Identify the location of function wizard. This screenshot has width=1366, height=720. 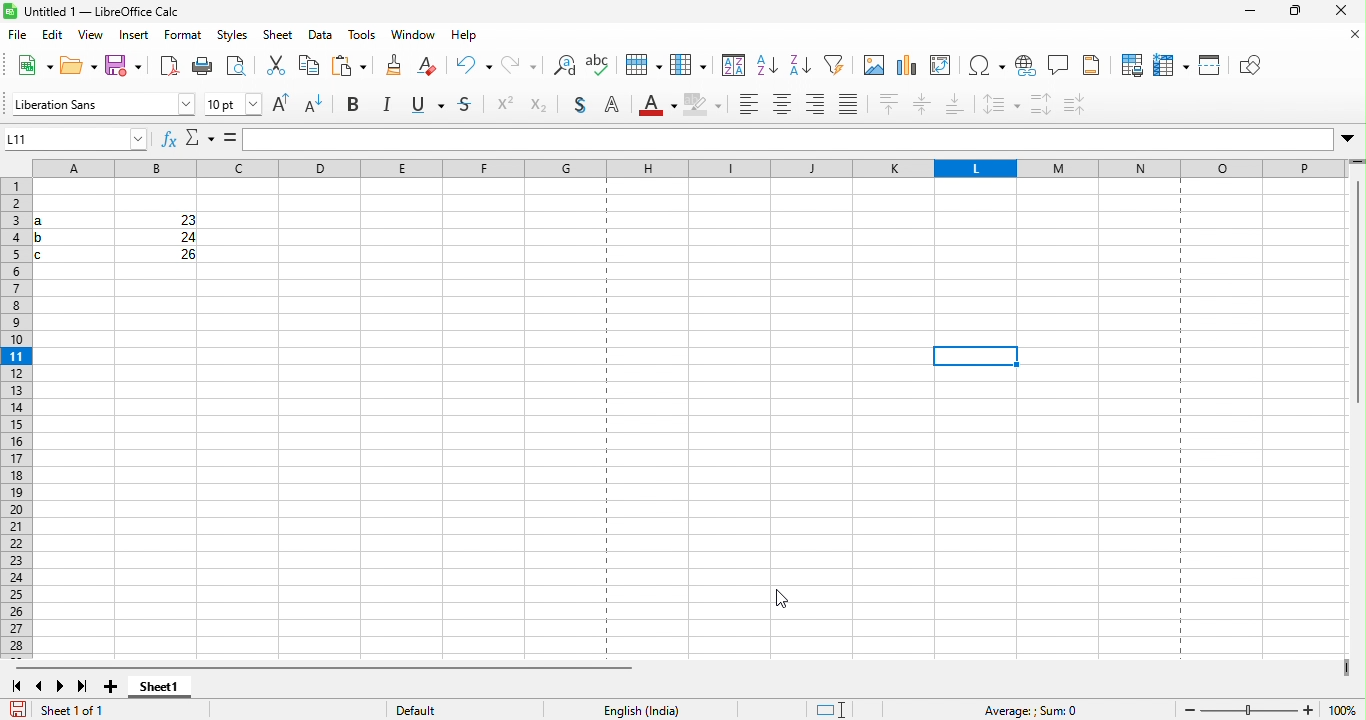
(165, 139).